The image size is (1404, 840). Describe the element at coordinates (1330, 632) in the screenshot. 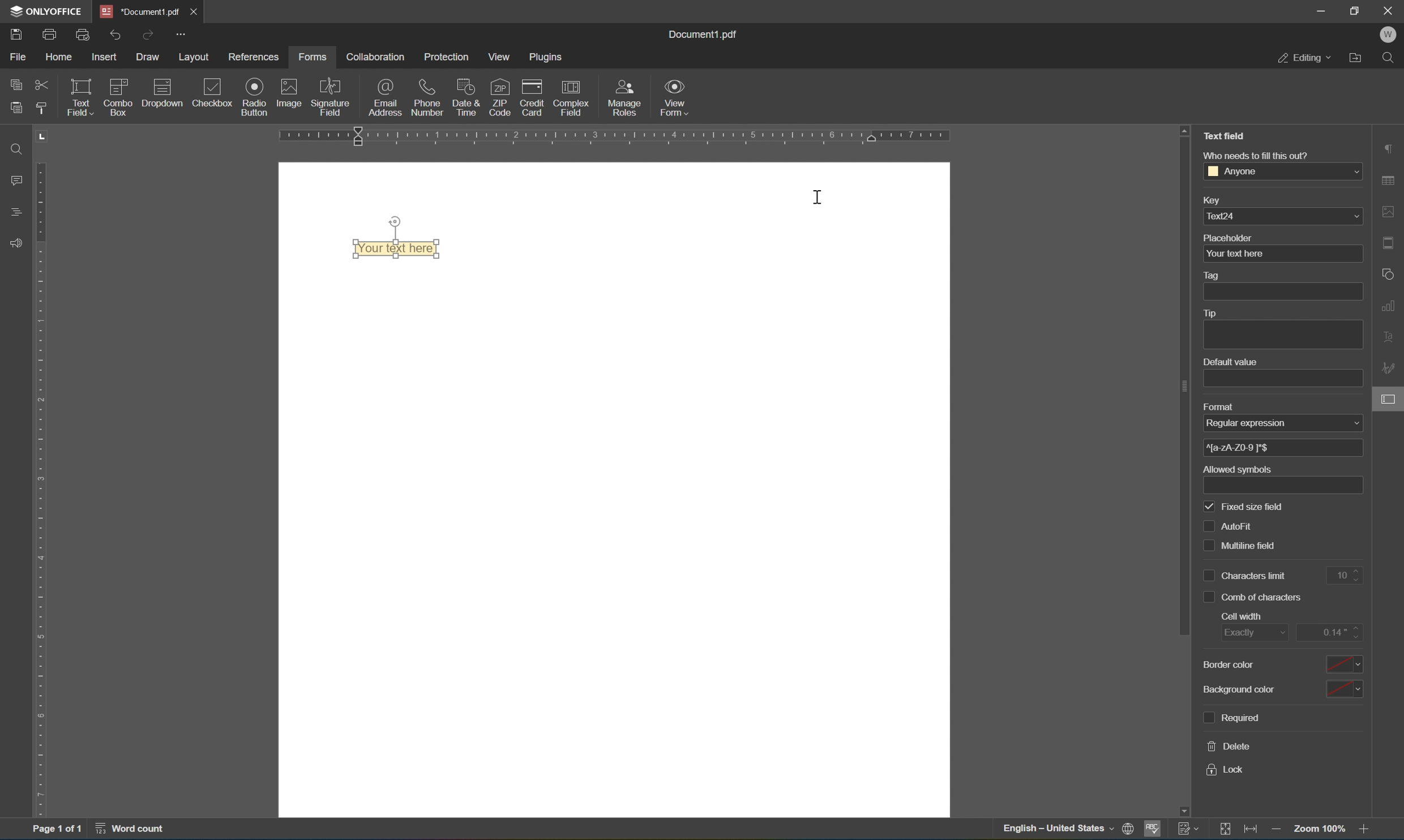

I see `edit cell width` at that location.